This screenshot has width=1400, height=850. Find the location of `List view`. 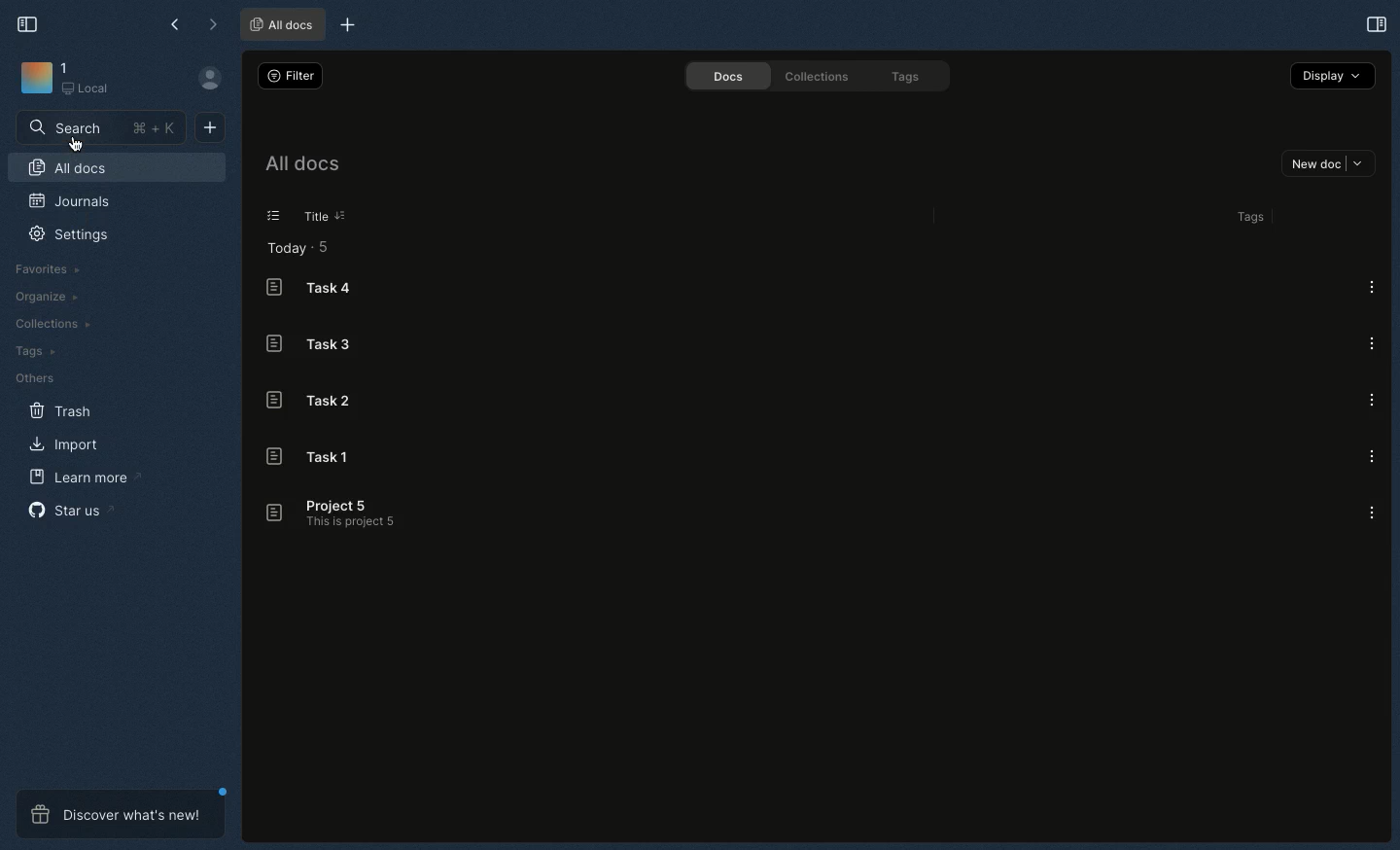

List view is located at coordinates (274, 216).